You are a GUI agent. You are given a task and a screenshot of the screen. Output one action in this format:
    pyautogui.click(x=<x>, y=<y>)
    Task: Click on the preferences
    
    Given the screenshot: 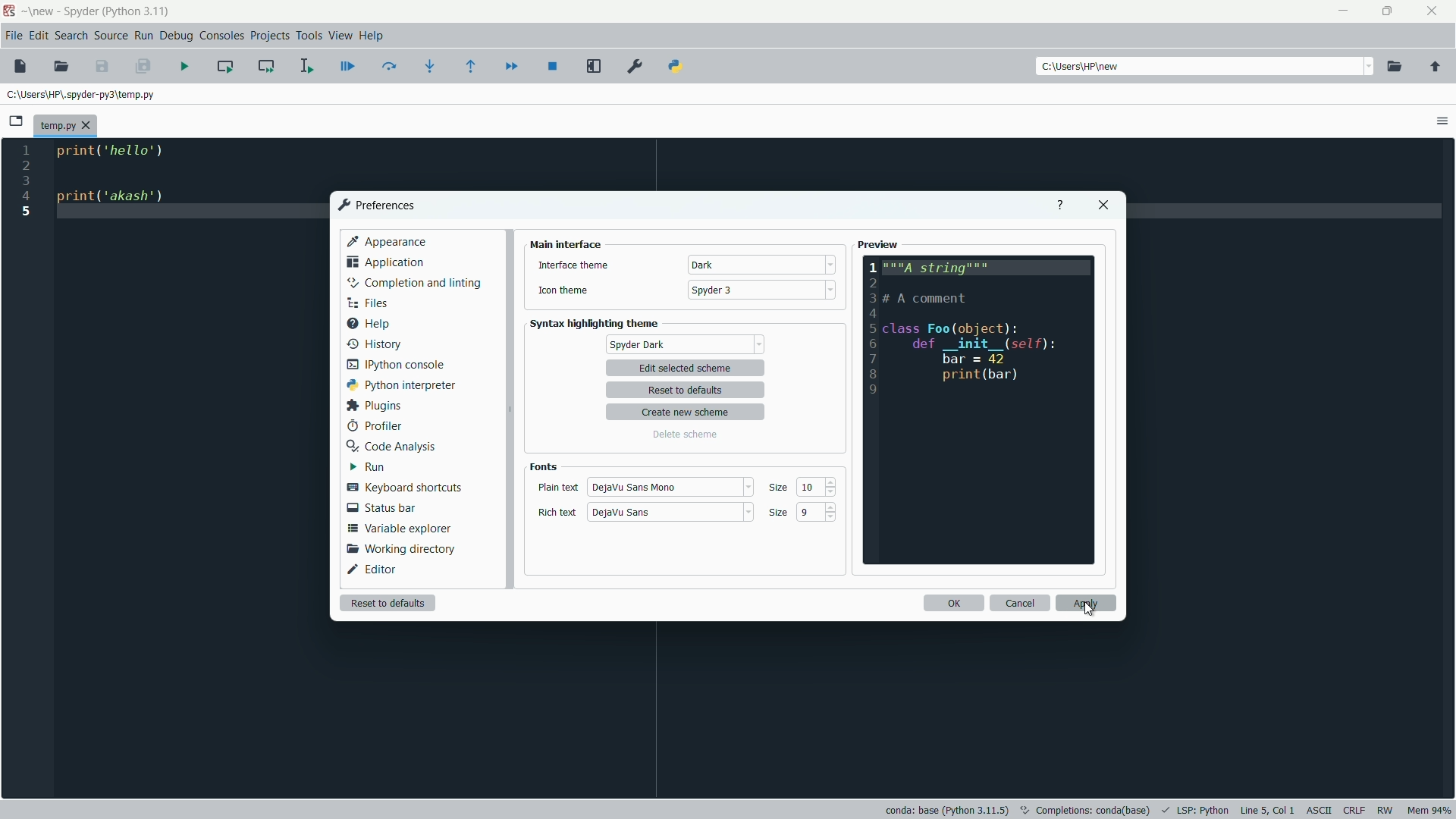 What is the action you would take?
    pyautogui.click(x=635, y=67)
    